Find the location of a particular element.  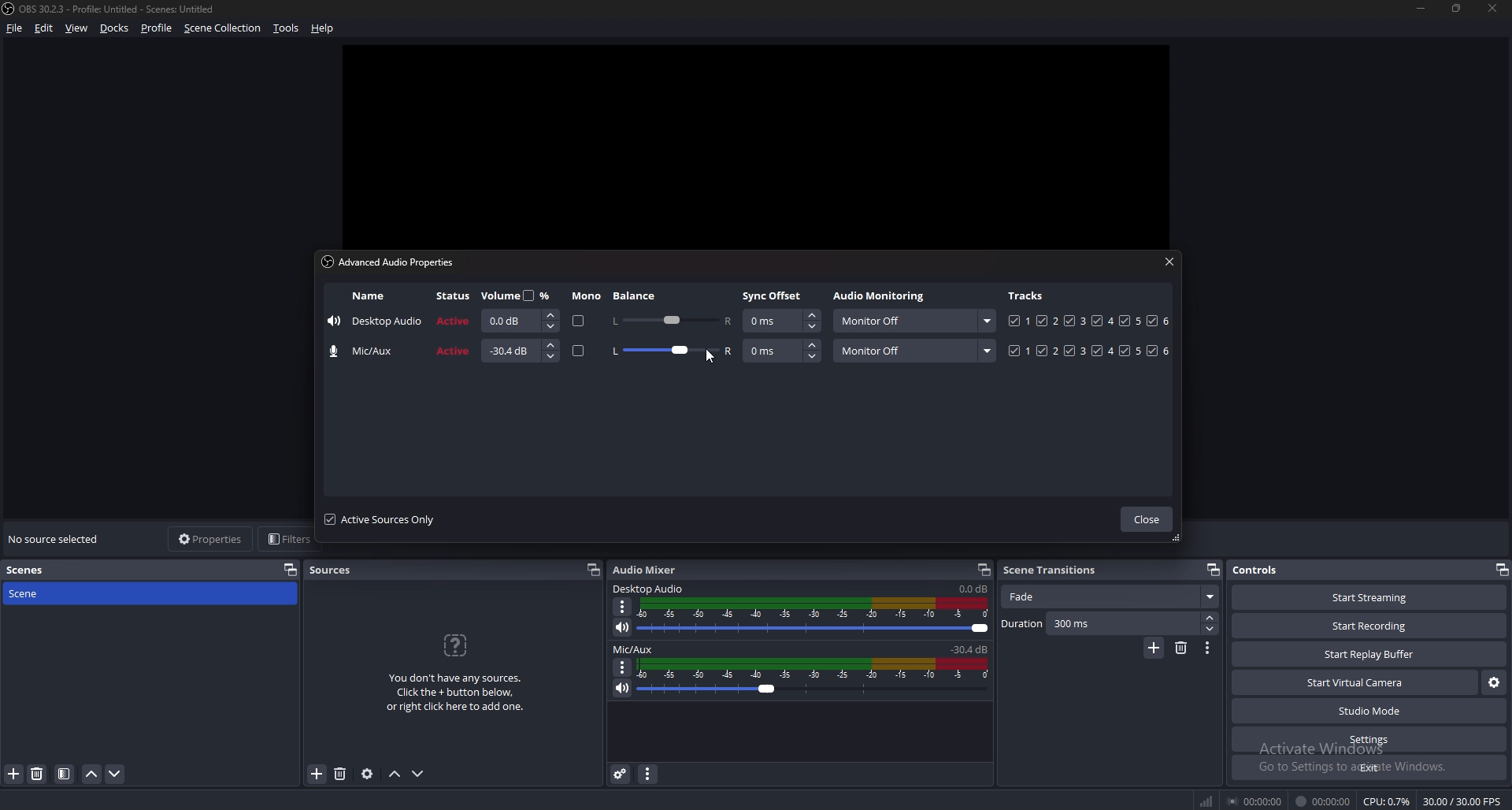

scene is located at coordinates (31, 593).